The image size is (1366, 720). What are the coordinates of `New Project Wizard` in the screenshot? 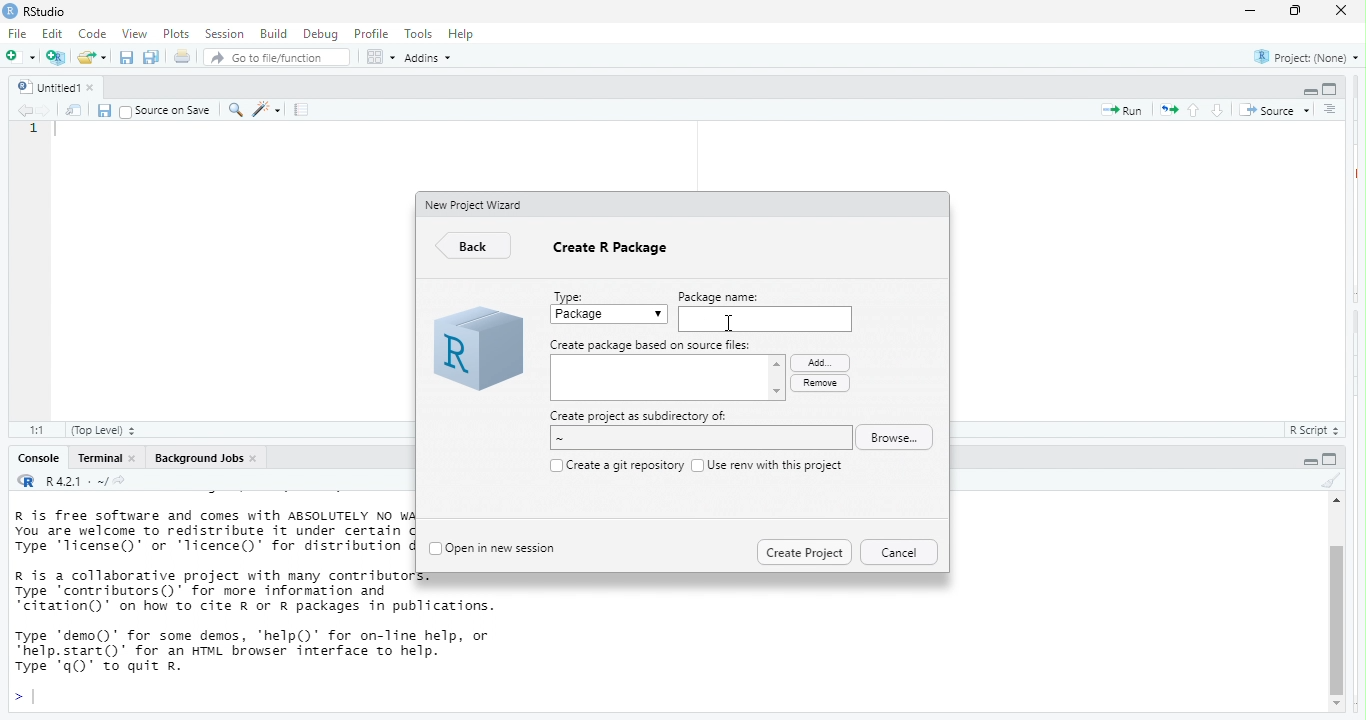 It's located at (476, 204).